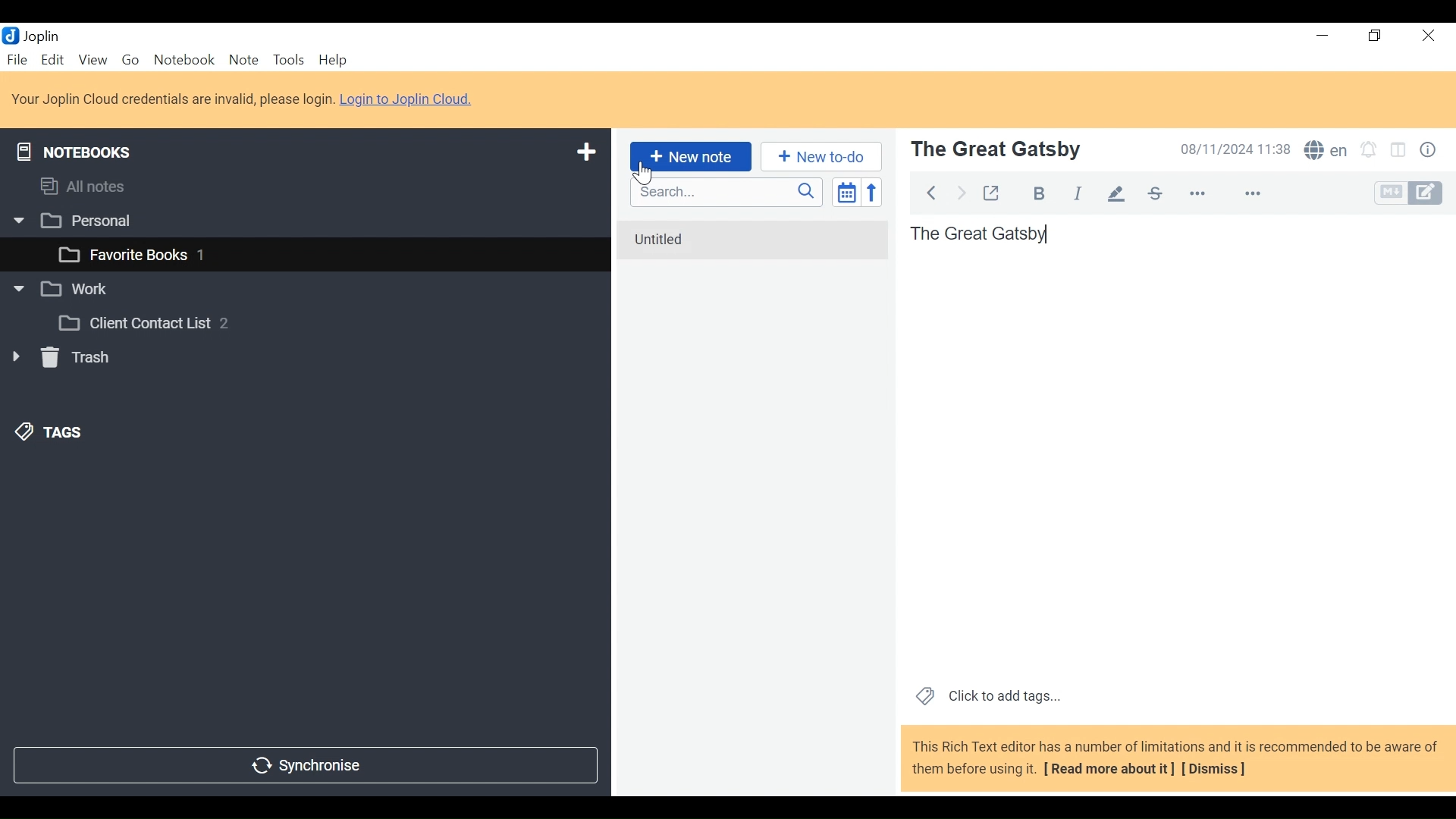 This screenshot has width=1456, height=819. Describe the element at coordinates (1043, 193) in the screenshot. I see `Bold` at that location.